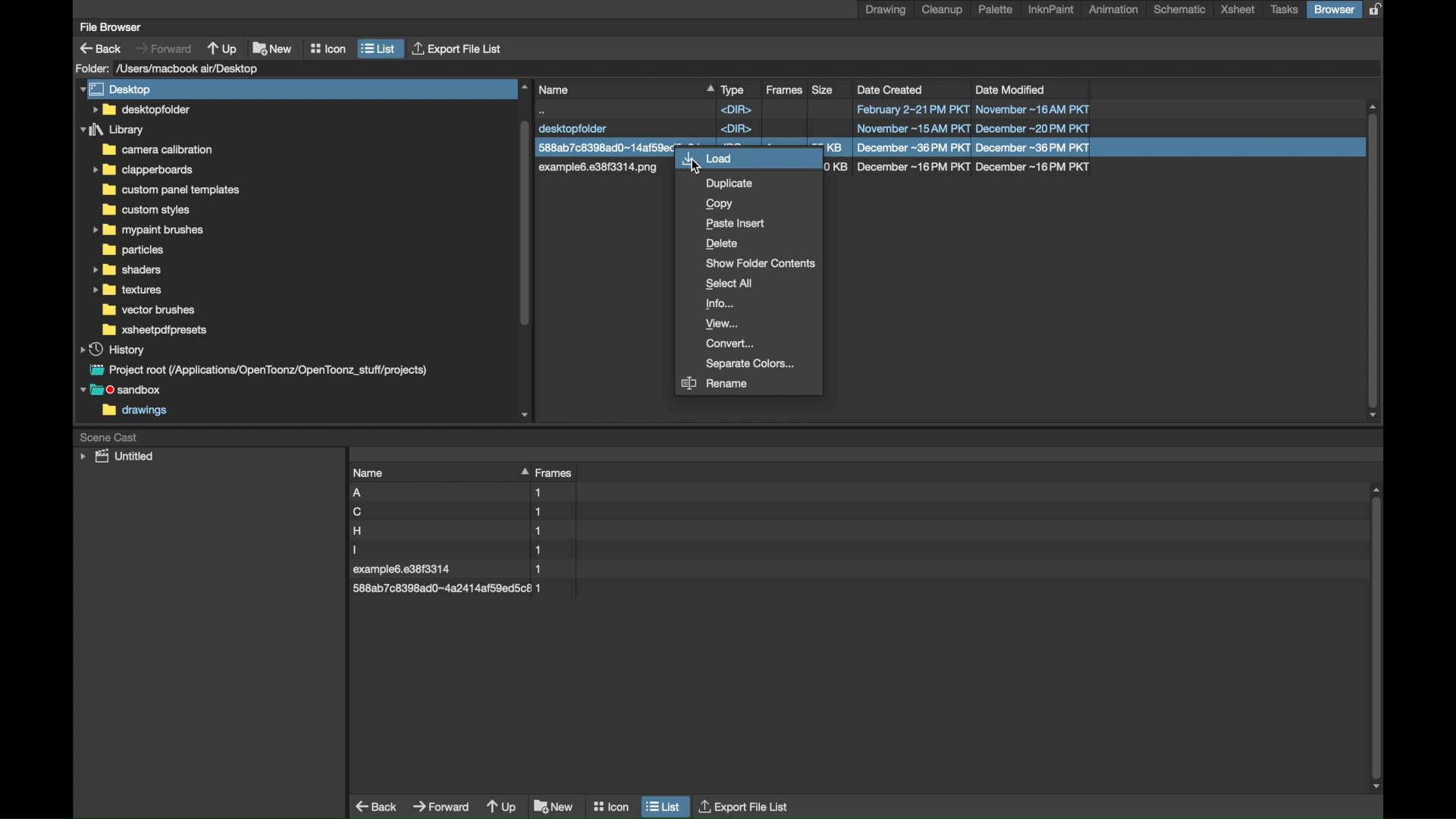 The width and height of the screenshot is (1456, 819). What do you see at coordinates (124, 391) in the screenshot?
I see `sandbox` at bounding box center [124, 391].